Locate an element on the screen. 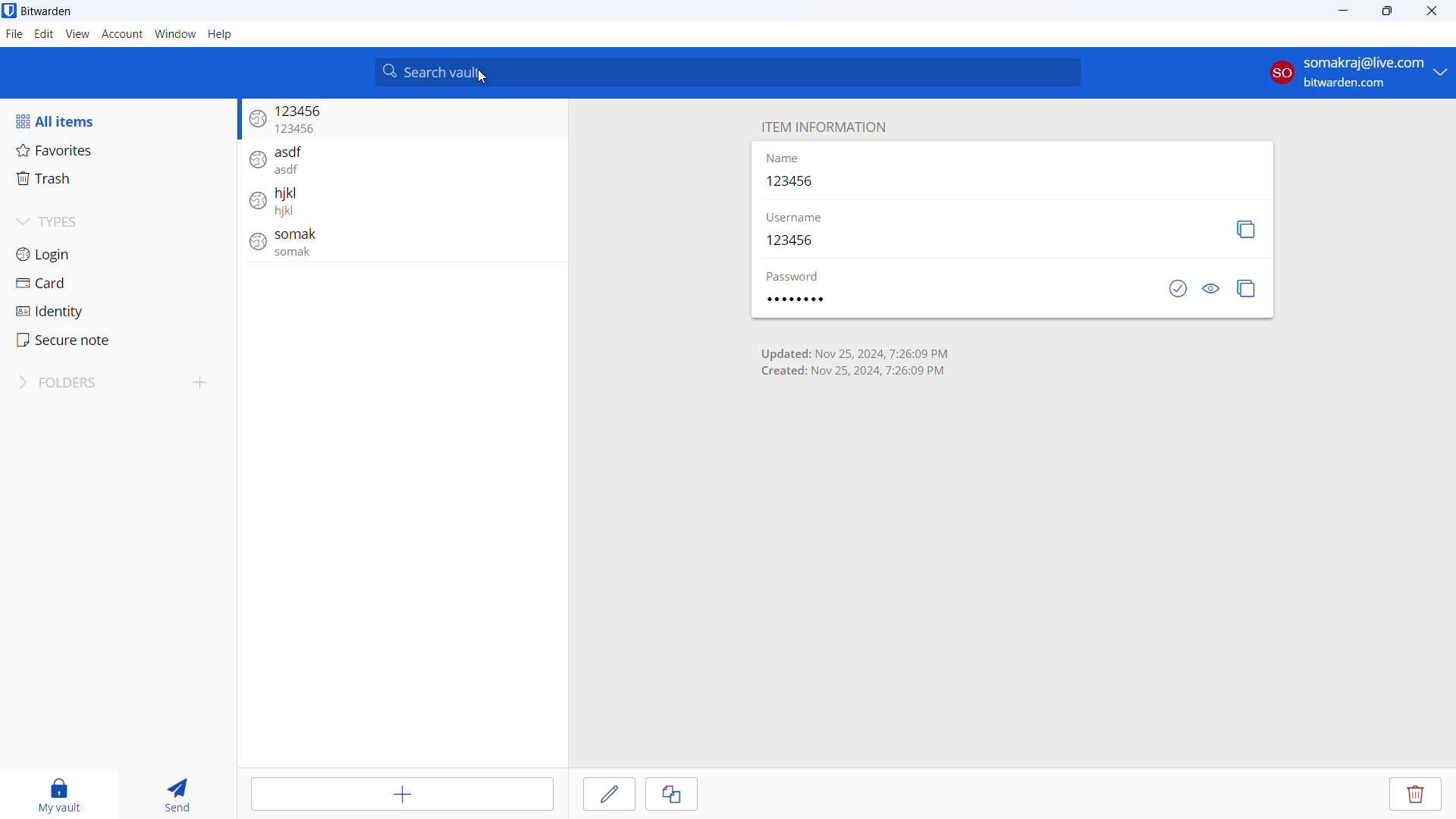 This screenshot has width=1456, height=819. clone is located at coordinates (671, 794).